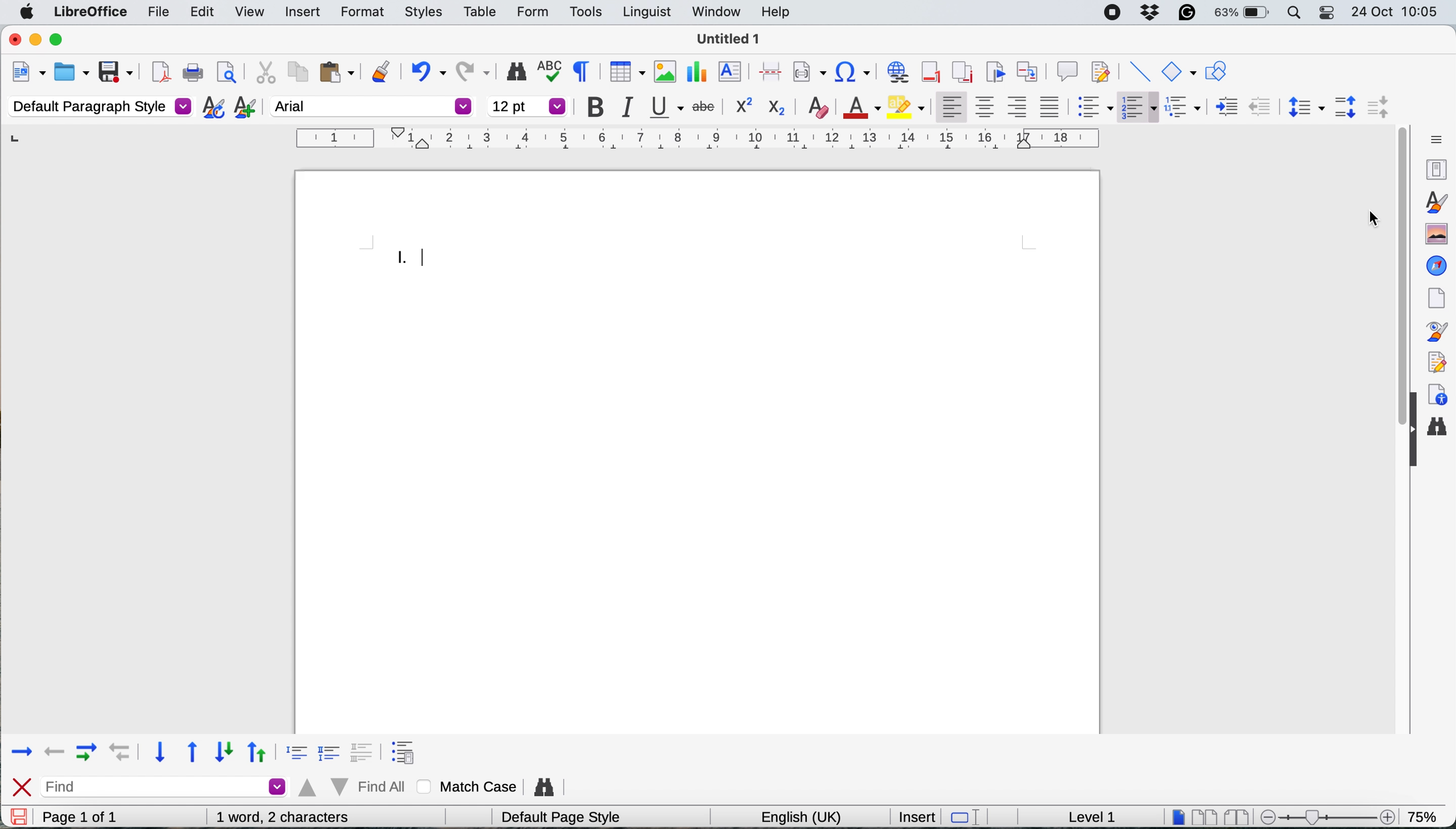 The width and height of the screenshot is (1456, 829). Describe the element at coordinates (1102, 70) in the screenshot. I see `show track changes functions` at that location.